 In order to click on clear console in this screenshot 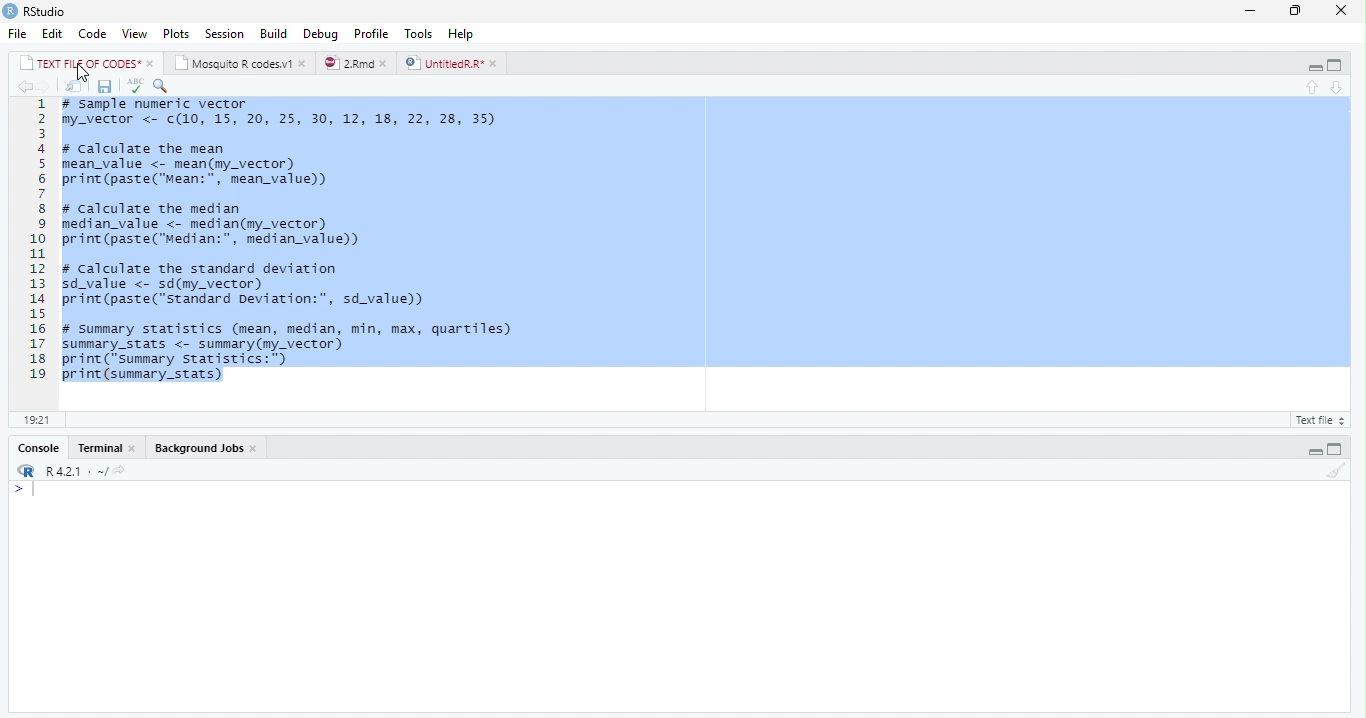, I will do `click(1336, 471)`.